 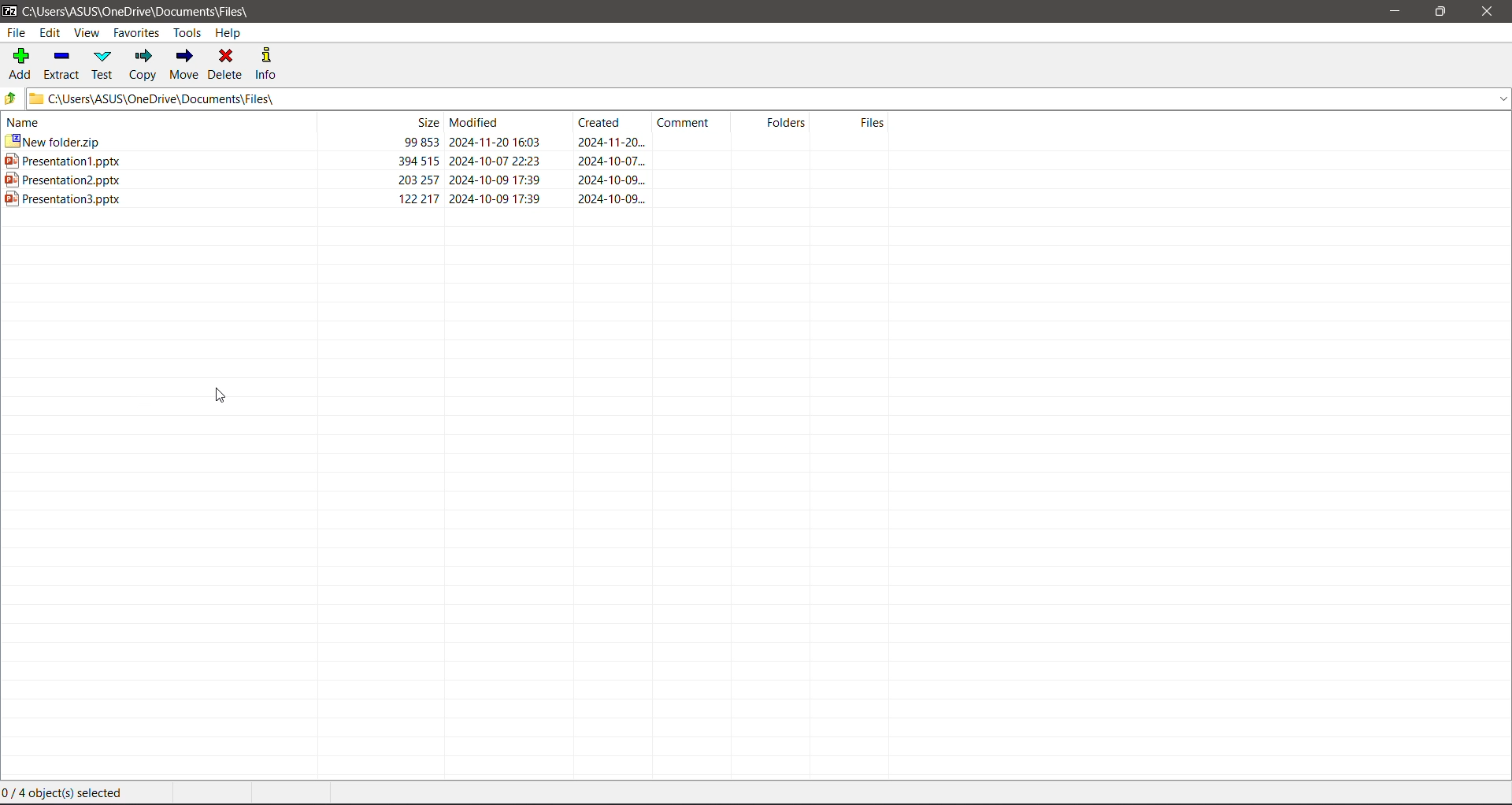 What do you see at coordinates (184, 65) in the screenshot?
I see `Move` at bounding box center [184, 65].